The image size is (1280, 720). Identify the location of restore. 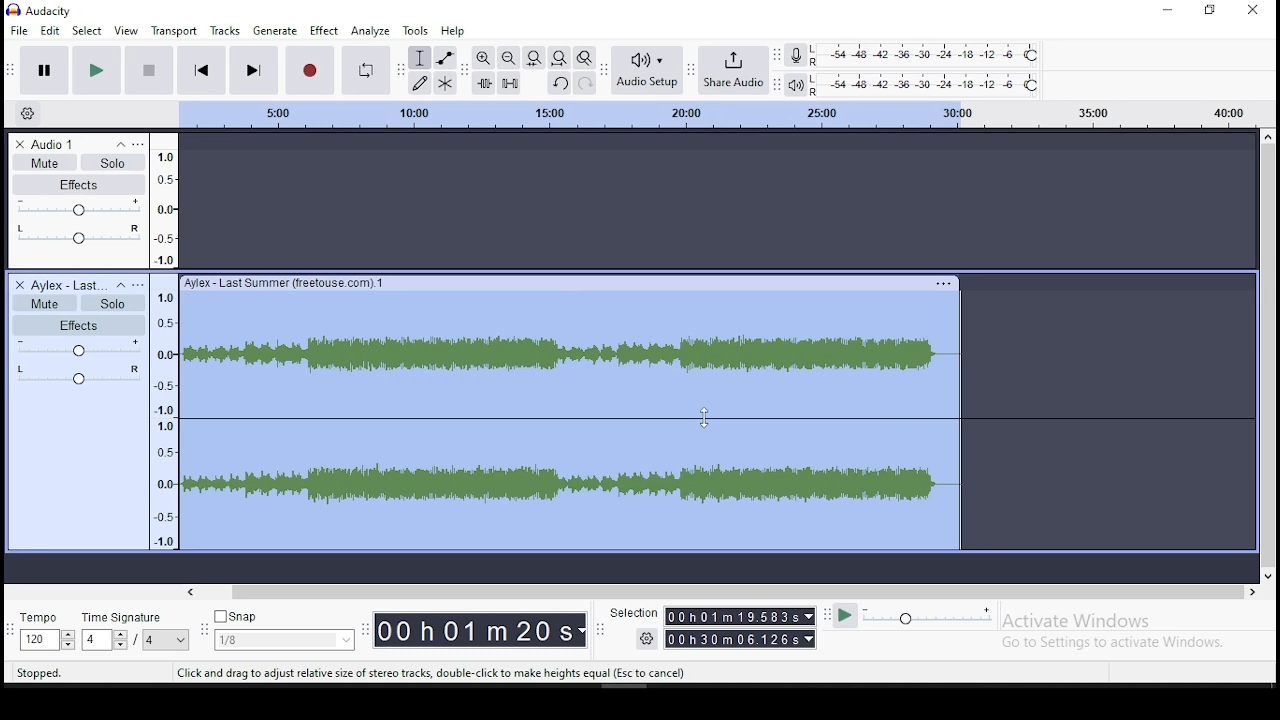
(1209, 11).